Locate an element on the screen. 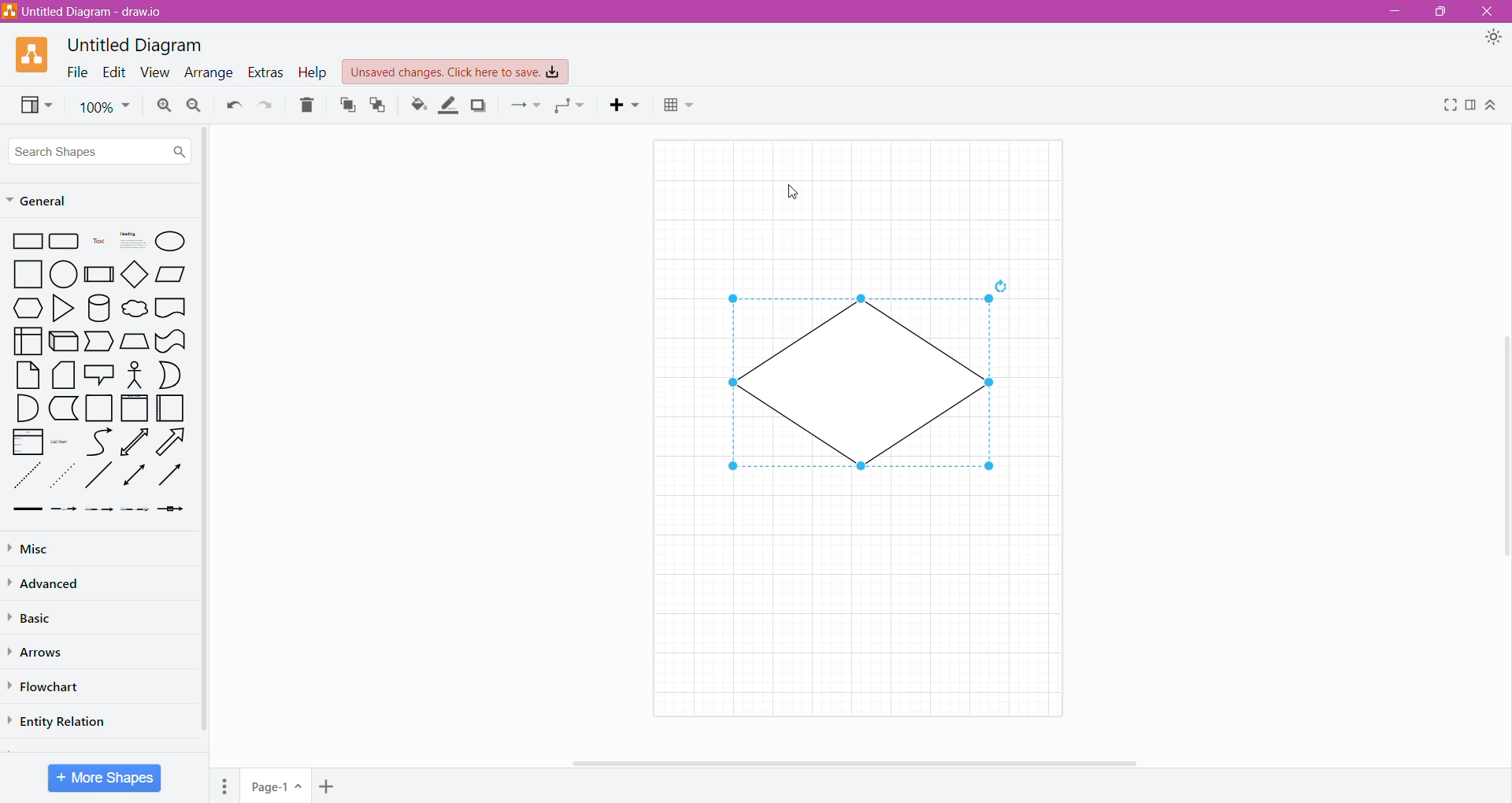 The image size is (1512, 803). Card is located at coordinates (61, 376).